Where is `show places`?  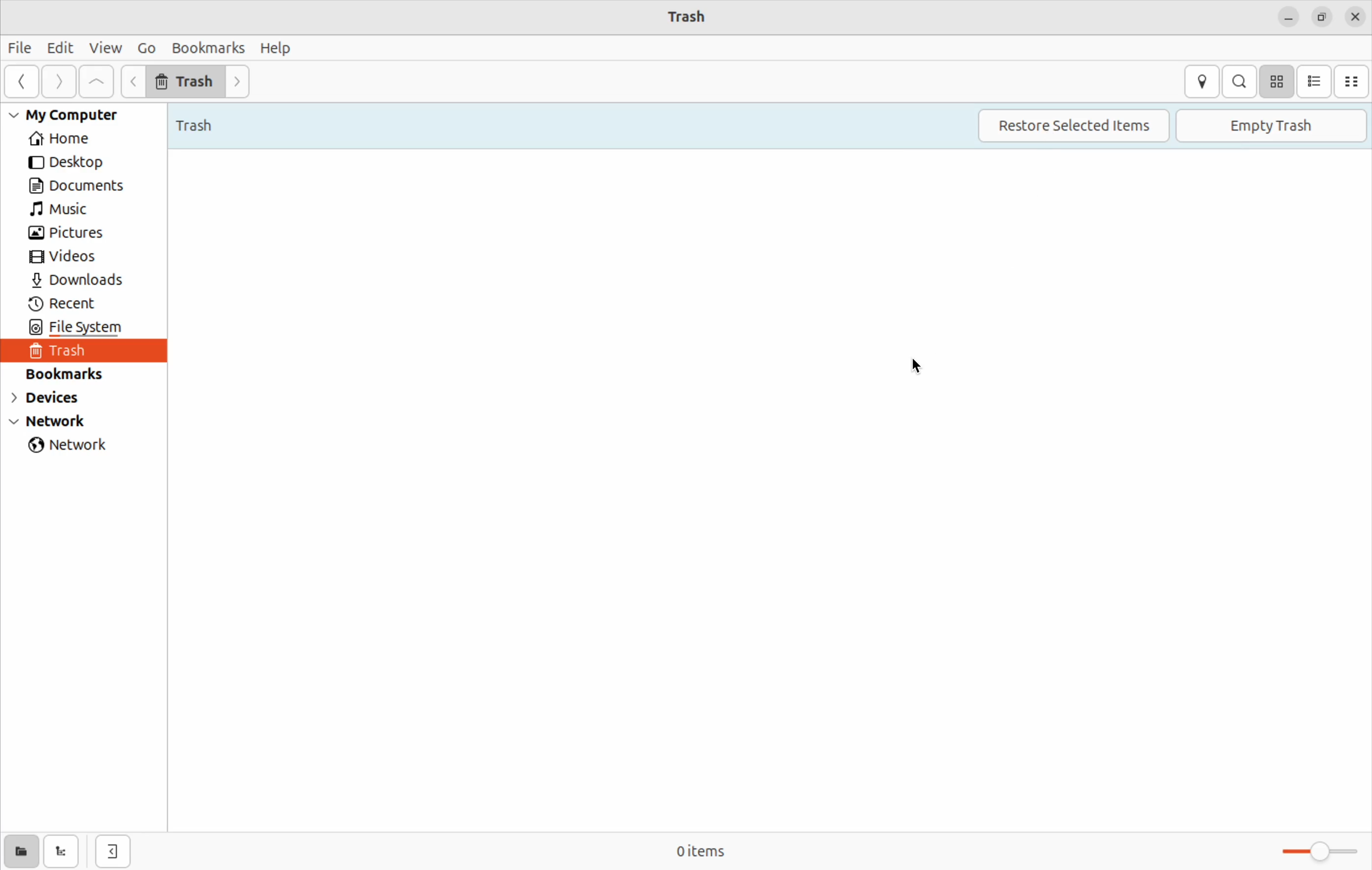 show places is located at coordinates (21, 851).